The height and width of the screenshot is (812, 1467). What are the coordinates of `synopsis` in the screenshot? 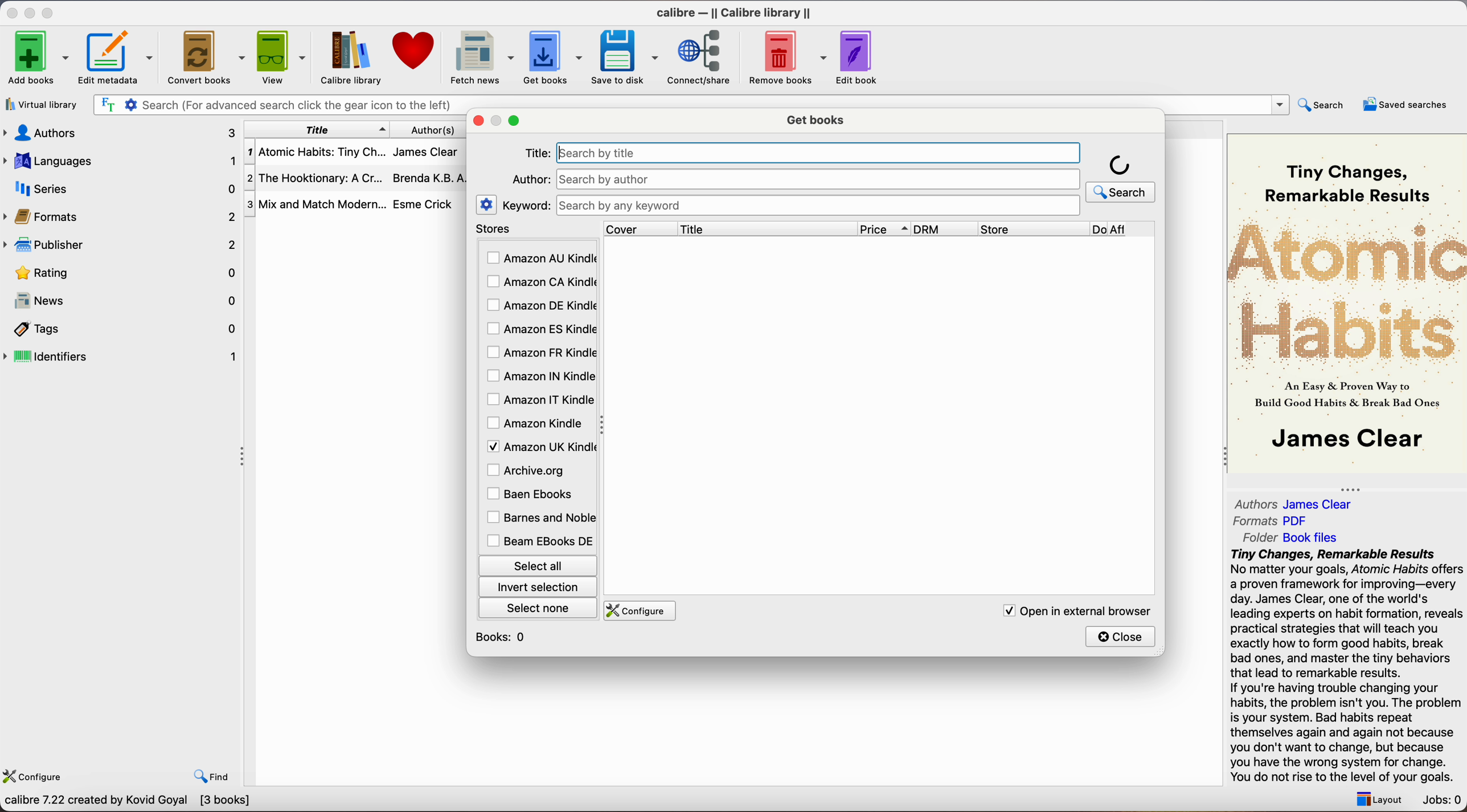 It's located at (1349, 666).